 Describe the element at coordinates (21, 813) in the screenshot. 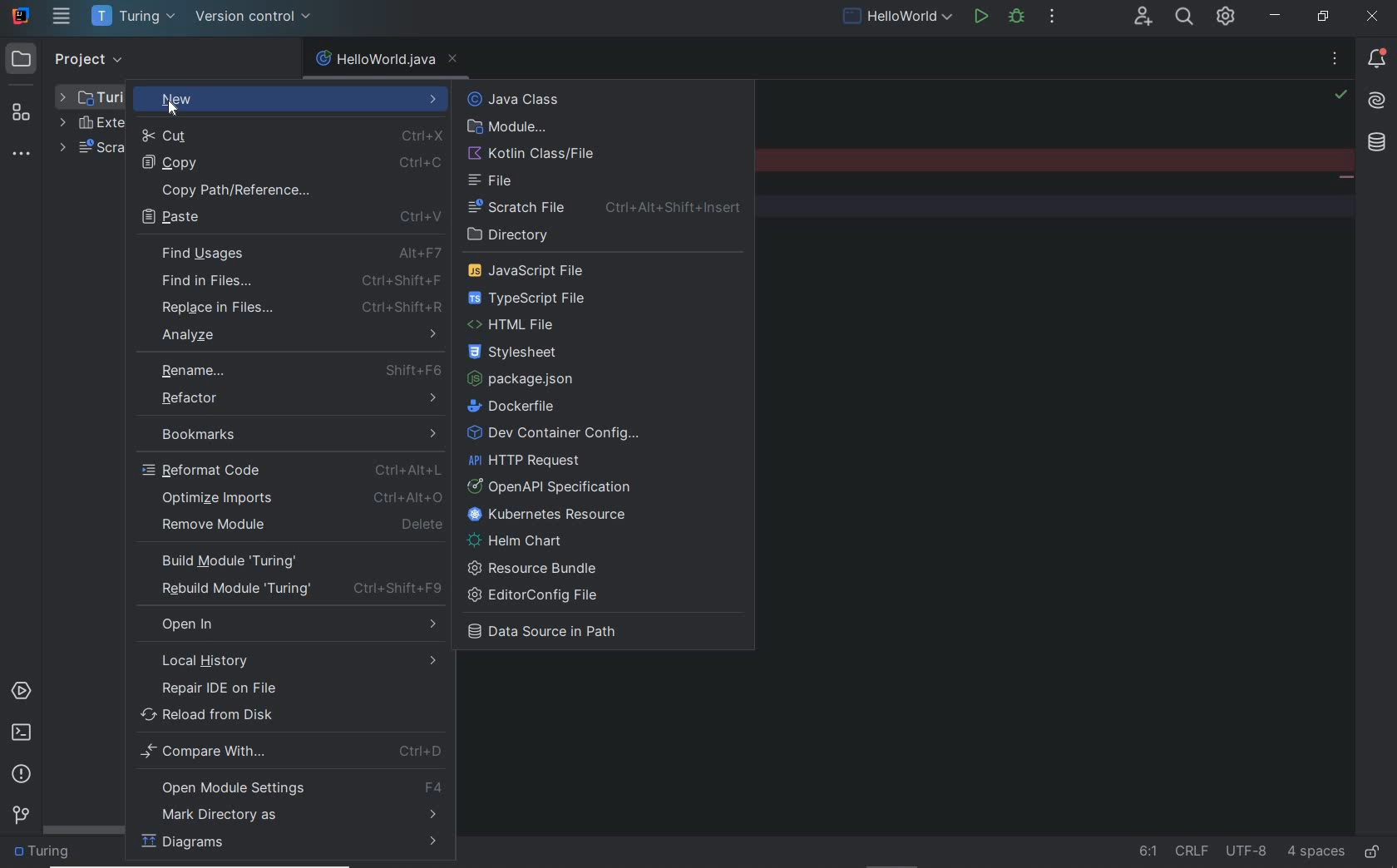

I see `Git` at that location.